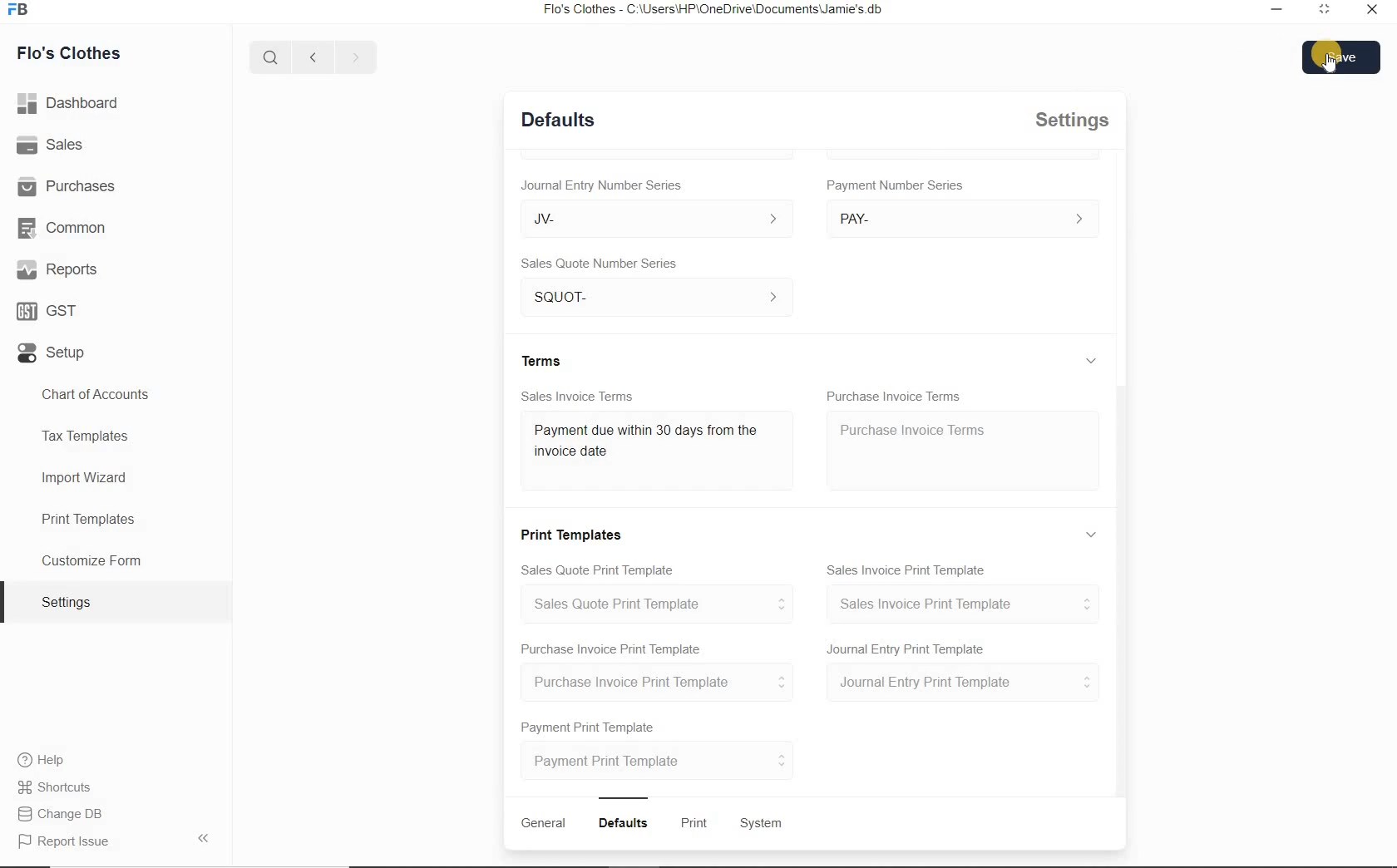 This screenshot has height=868, width=1397. Describe the element at coordinates (590, 727) in the screenshot. I see `Payment Print Template` at that location.